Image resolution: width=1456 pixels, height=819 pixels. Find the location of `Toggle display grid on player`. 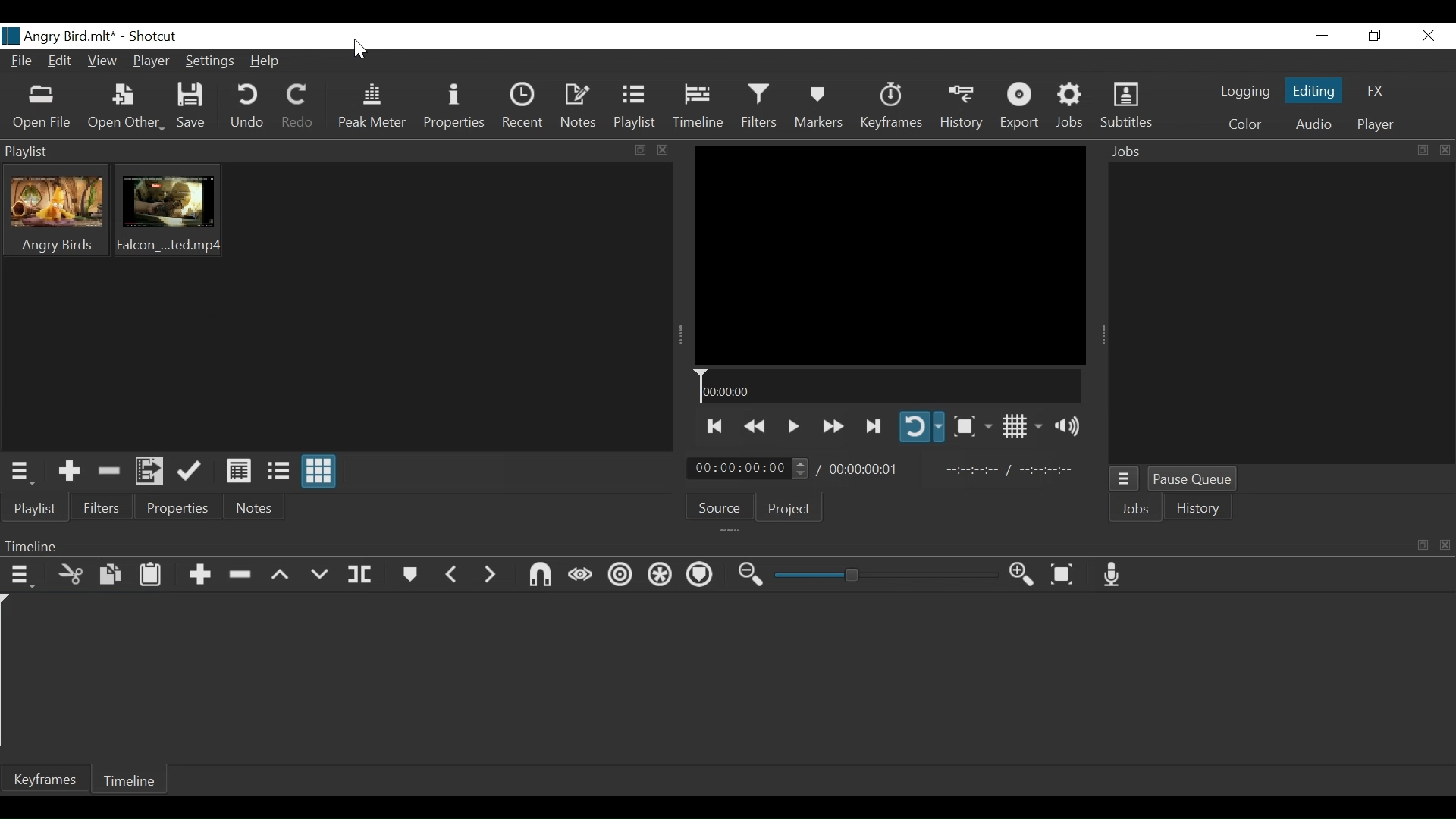

Toggle display grid on player is located at coordinates (1022, 427).